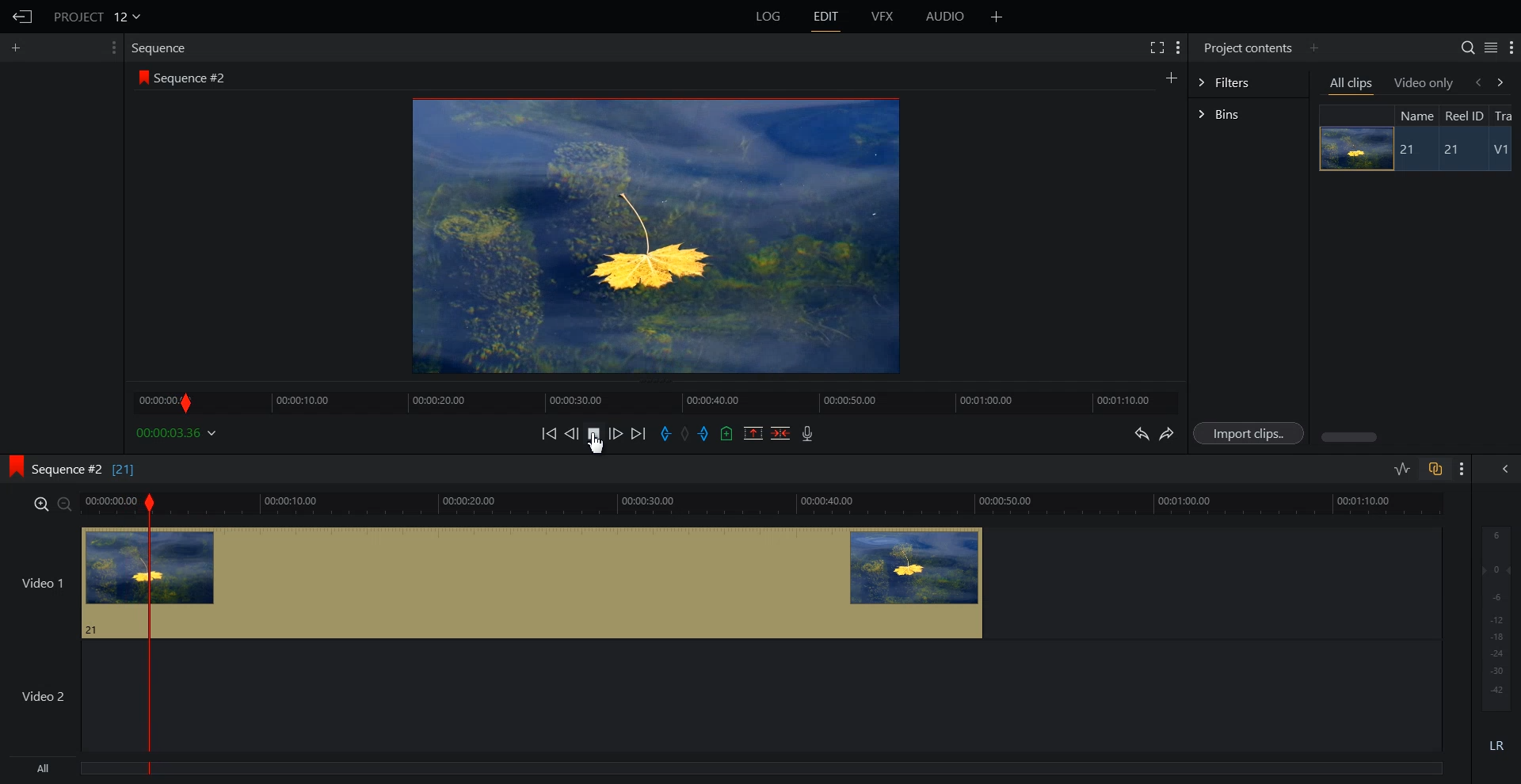  What do you see at coordinates (1504, 82) in the screenshot?
I see `forward` at bounding box center [1504, 82].